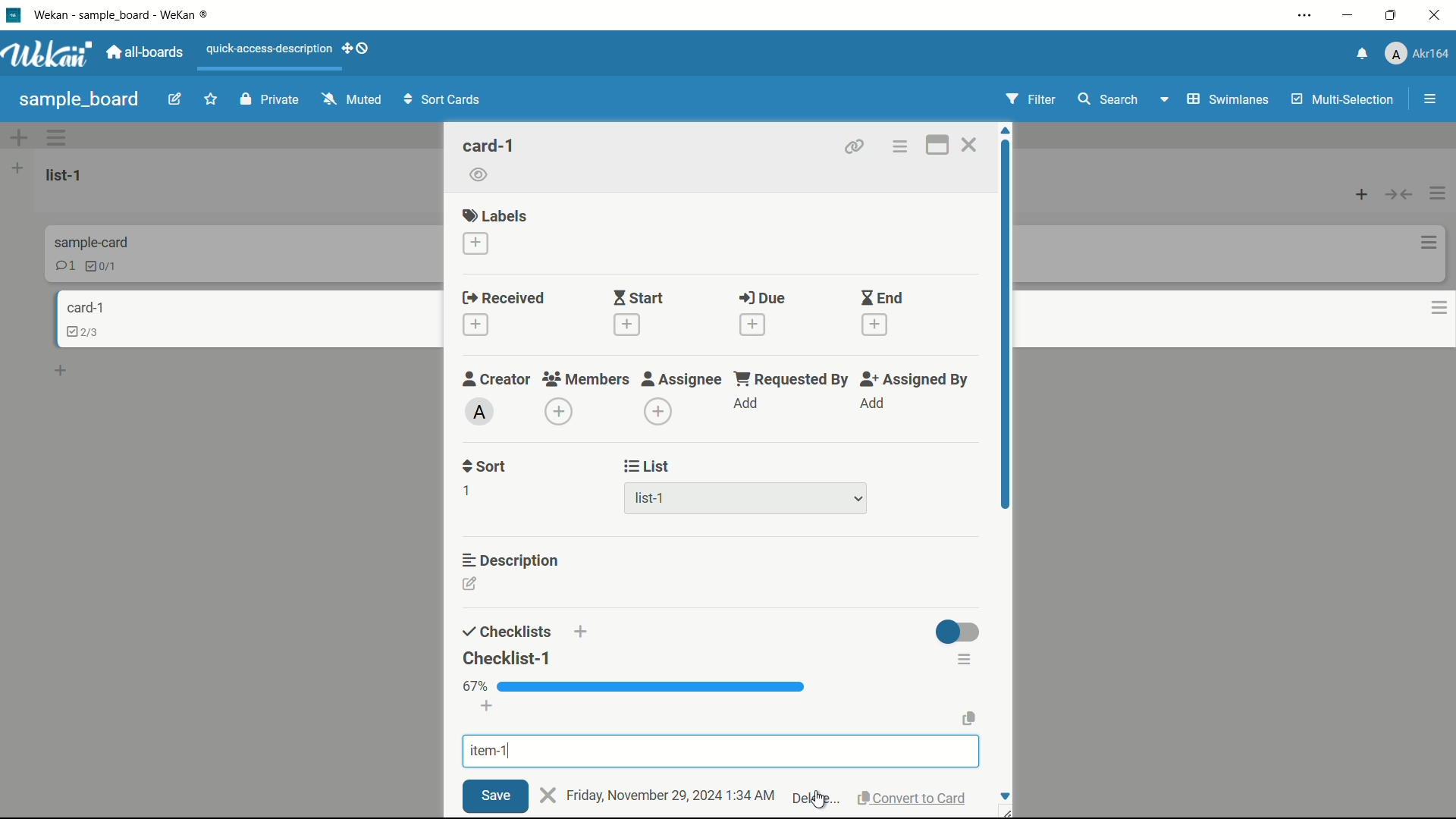  Describe the element at coordinates (789, 379) in the screenshot. I see `requested by` at that location.